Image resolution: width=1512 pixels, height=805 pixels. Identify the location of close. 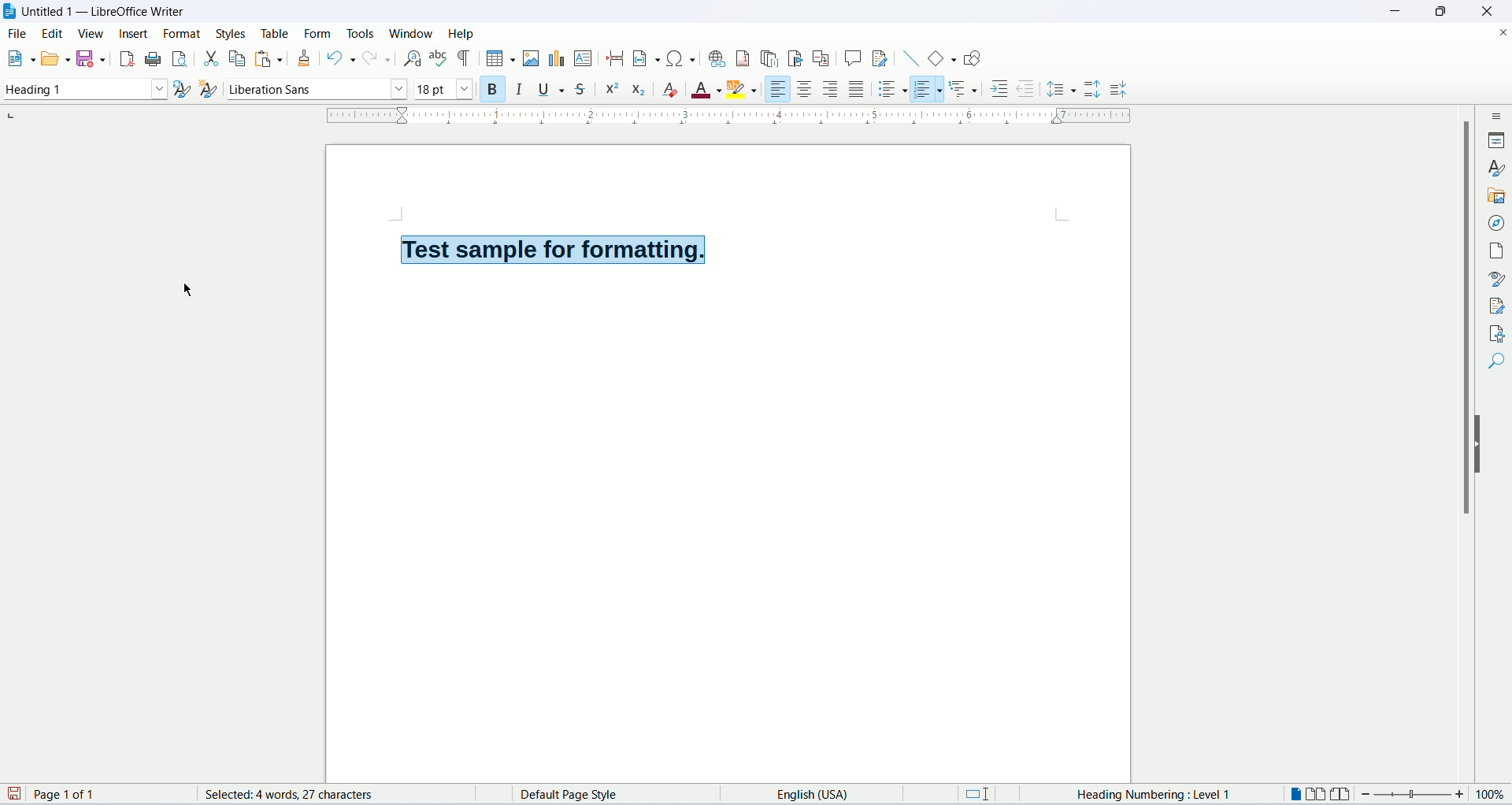
(1503, 31).